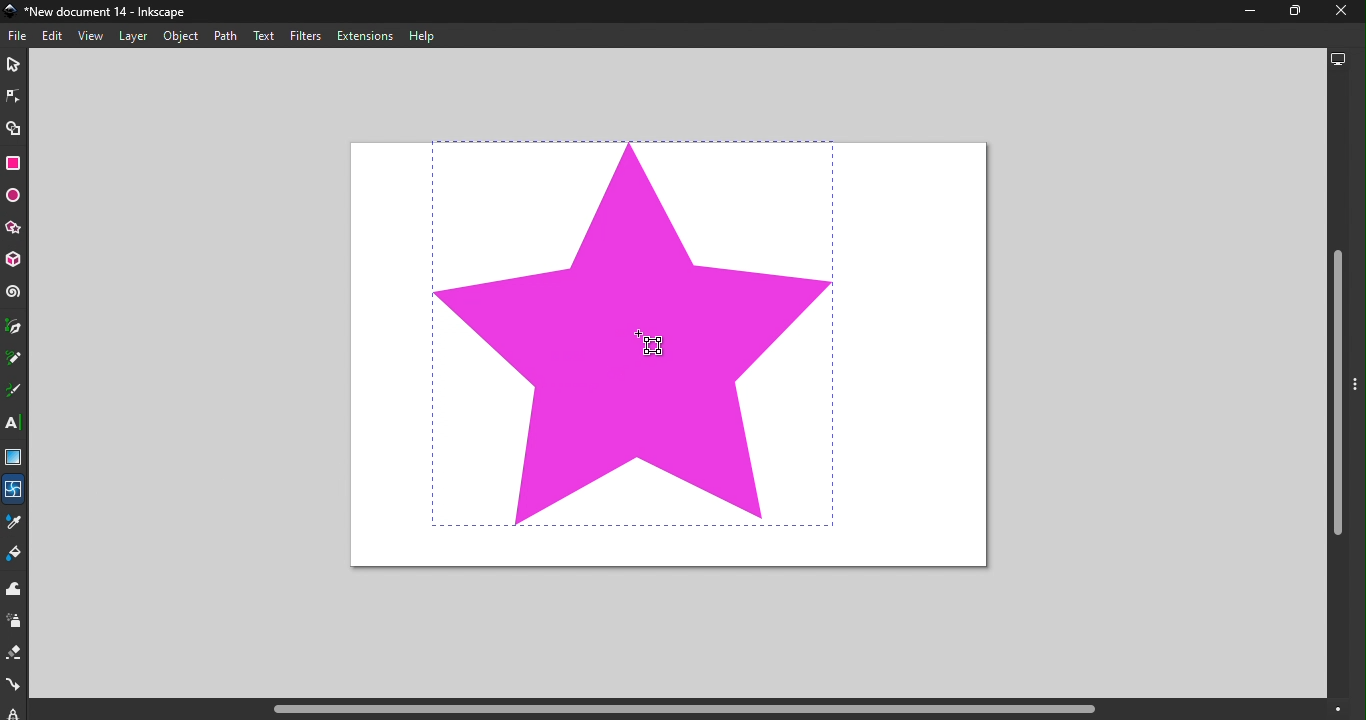  Describe the element at coordinates (14, 525) in the screenshot. I see `Dropper tool` at that location.